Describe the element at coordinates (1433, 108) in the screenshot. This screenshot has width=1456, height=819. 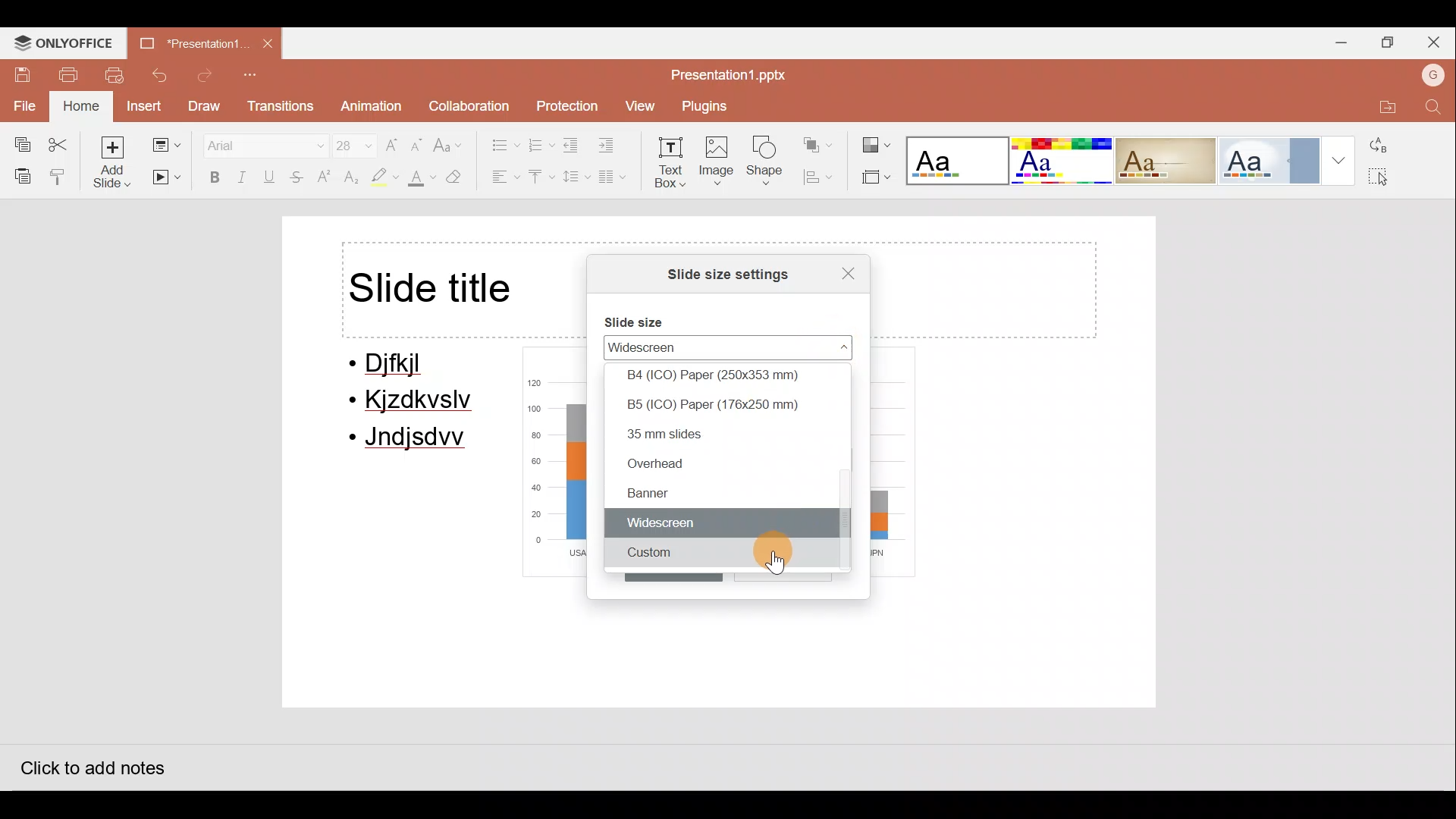
I see `Find` at that location.